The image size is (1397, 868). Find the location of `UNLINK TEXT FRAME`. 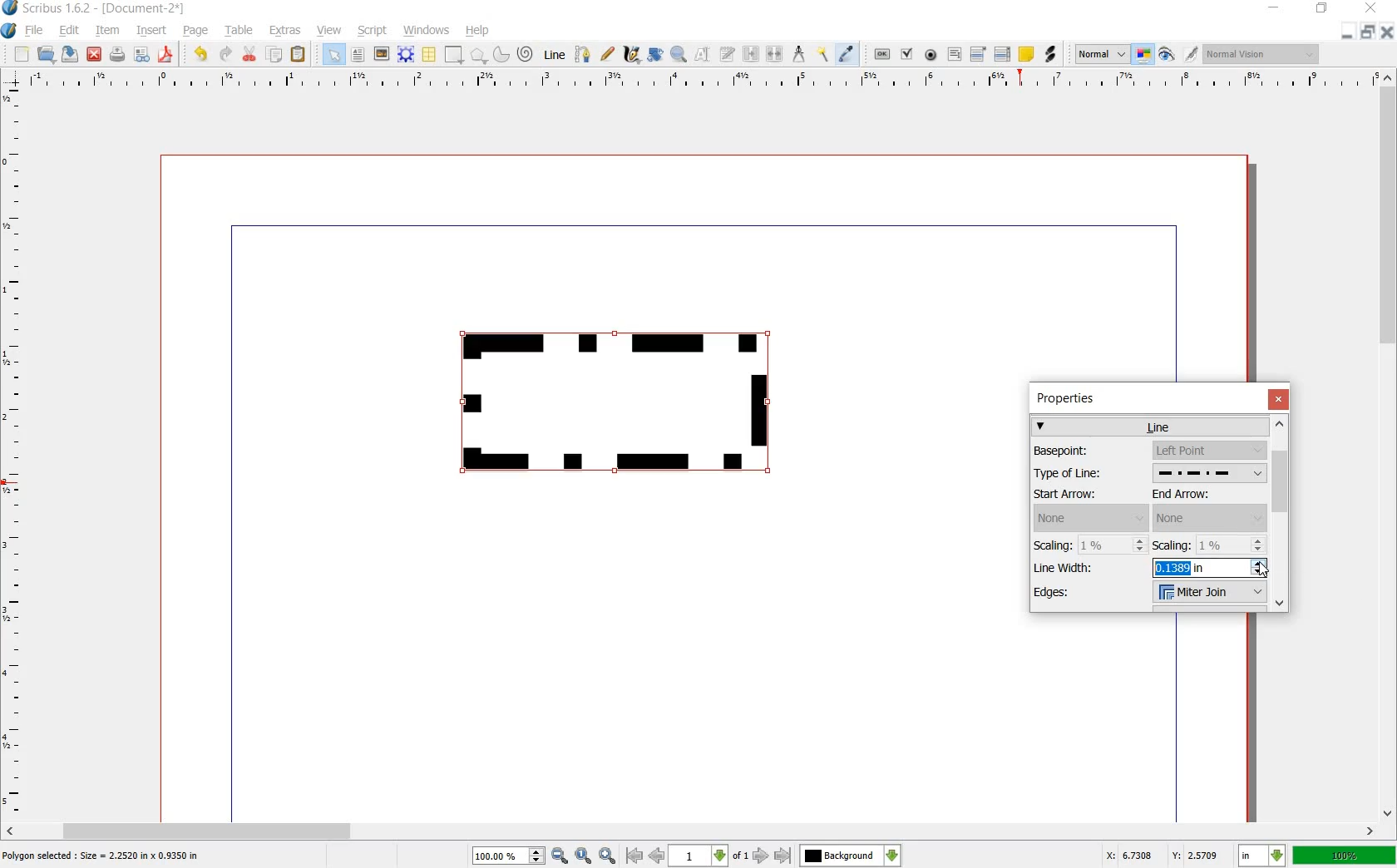

UNLINK TEXT FRAME is located at coordinates (776, 55).